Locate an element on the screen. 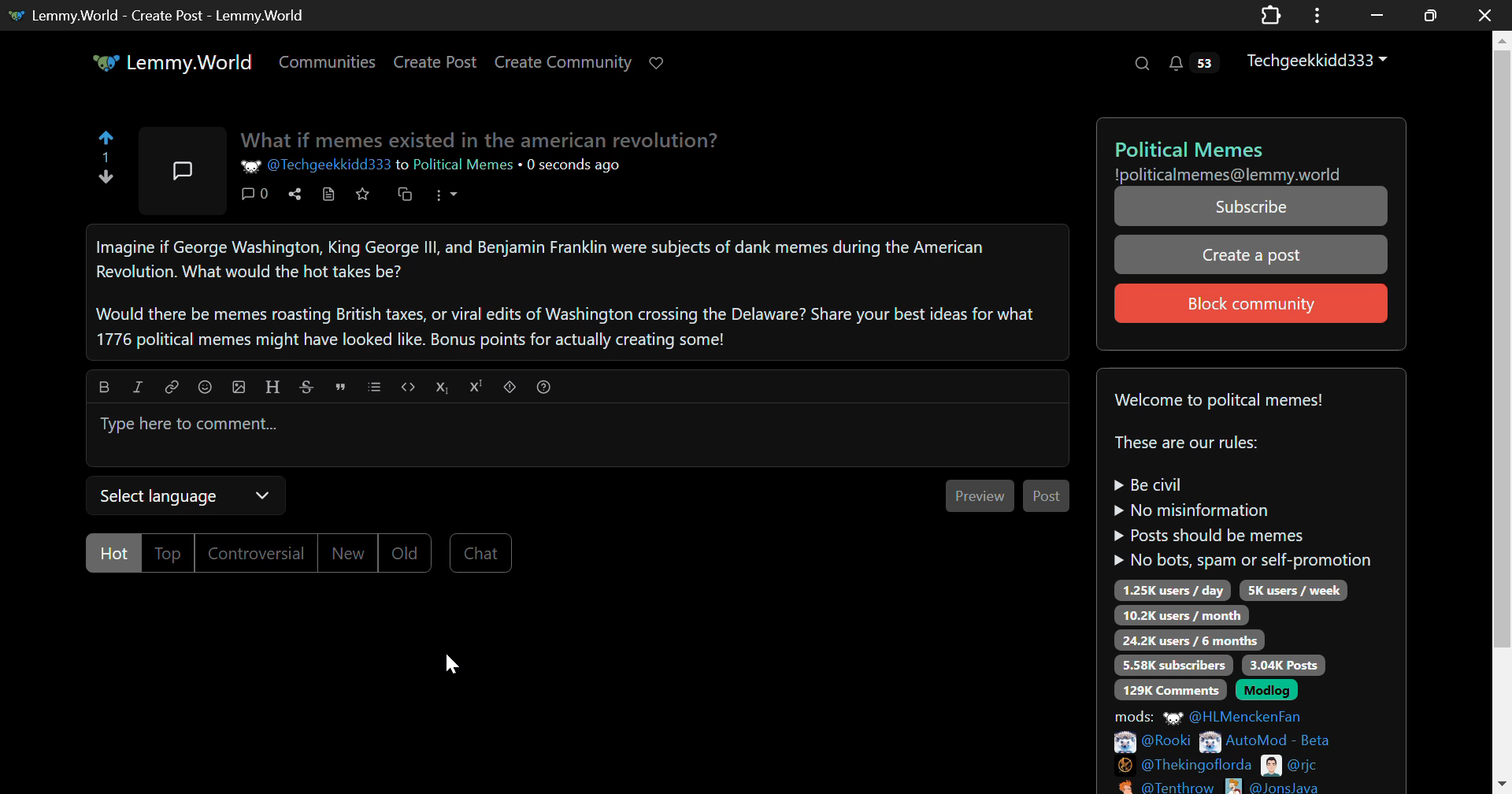 This screenshot has height=794, width=1512. Post Options is located at coordinates (454, 198).